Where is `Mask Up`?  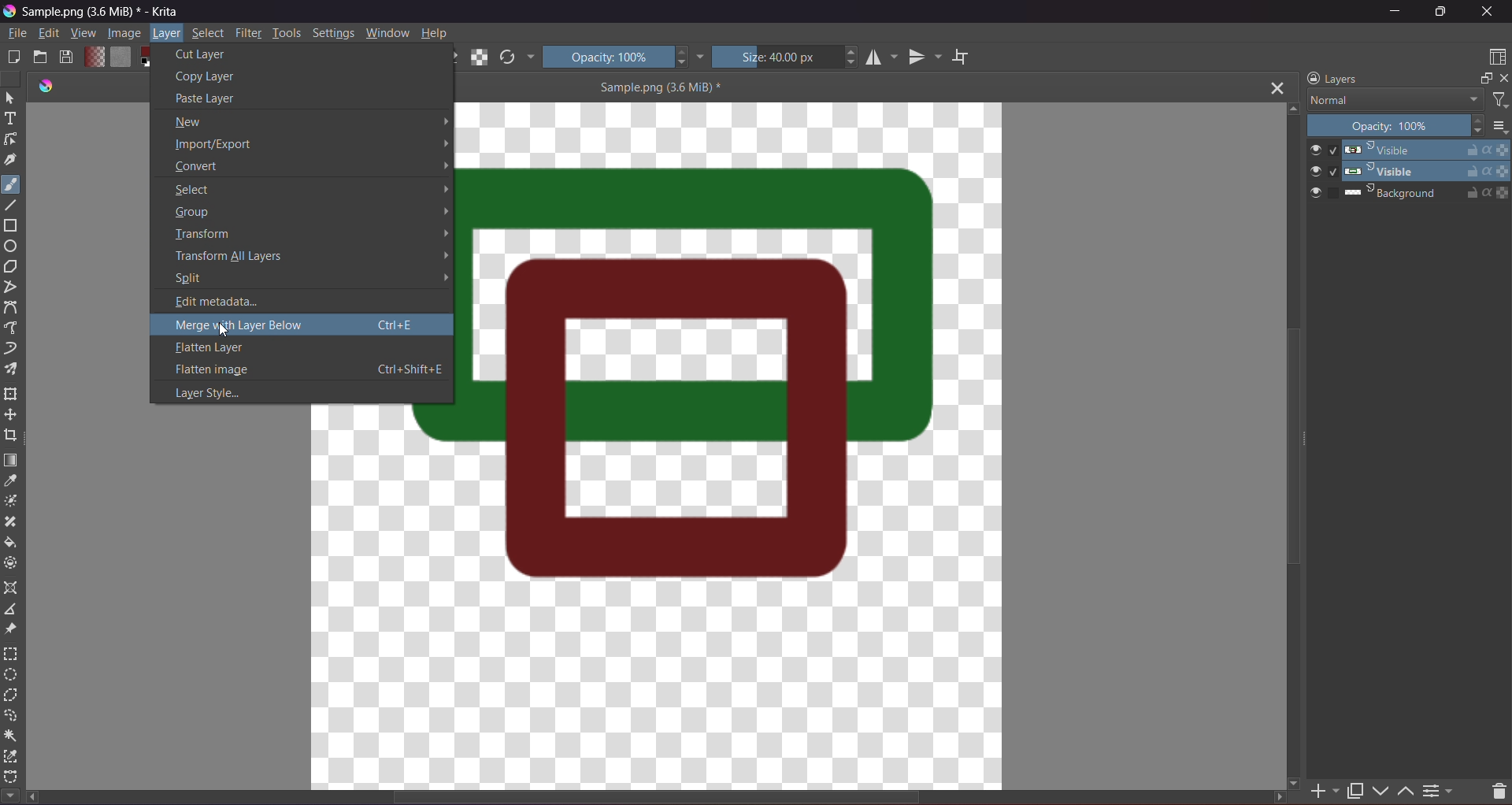
Mask Up is located at coordinates (1404, 788).